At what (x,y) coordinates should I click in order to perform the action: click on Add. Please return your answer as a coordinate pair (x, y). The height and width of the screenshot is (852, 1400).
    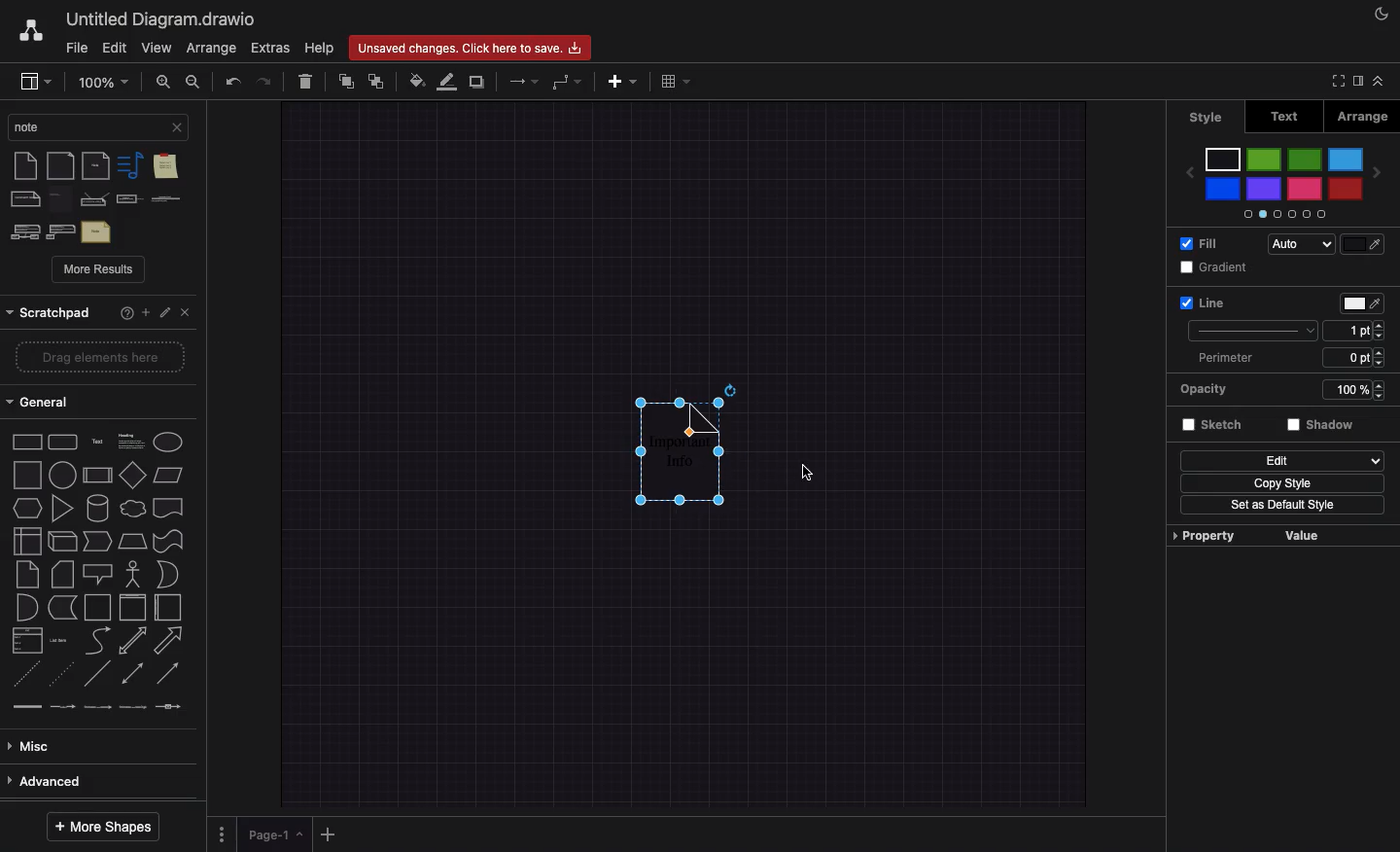
    Looking at the image, I should click on (147, 314).